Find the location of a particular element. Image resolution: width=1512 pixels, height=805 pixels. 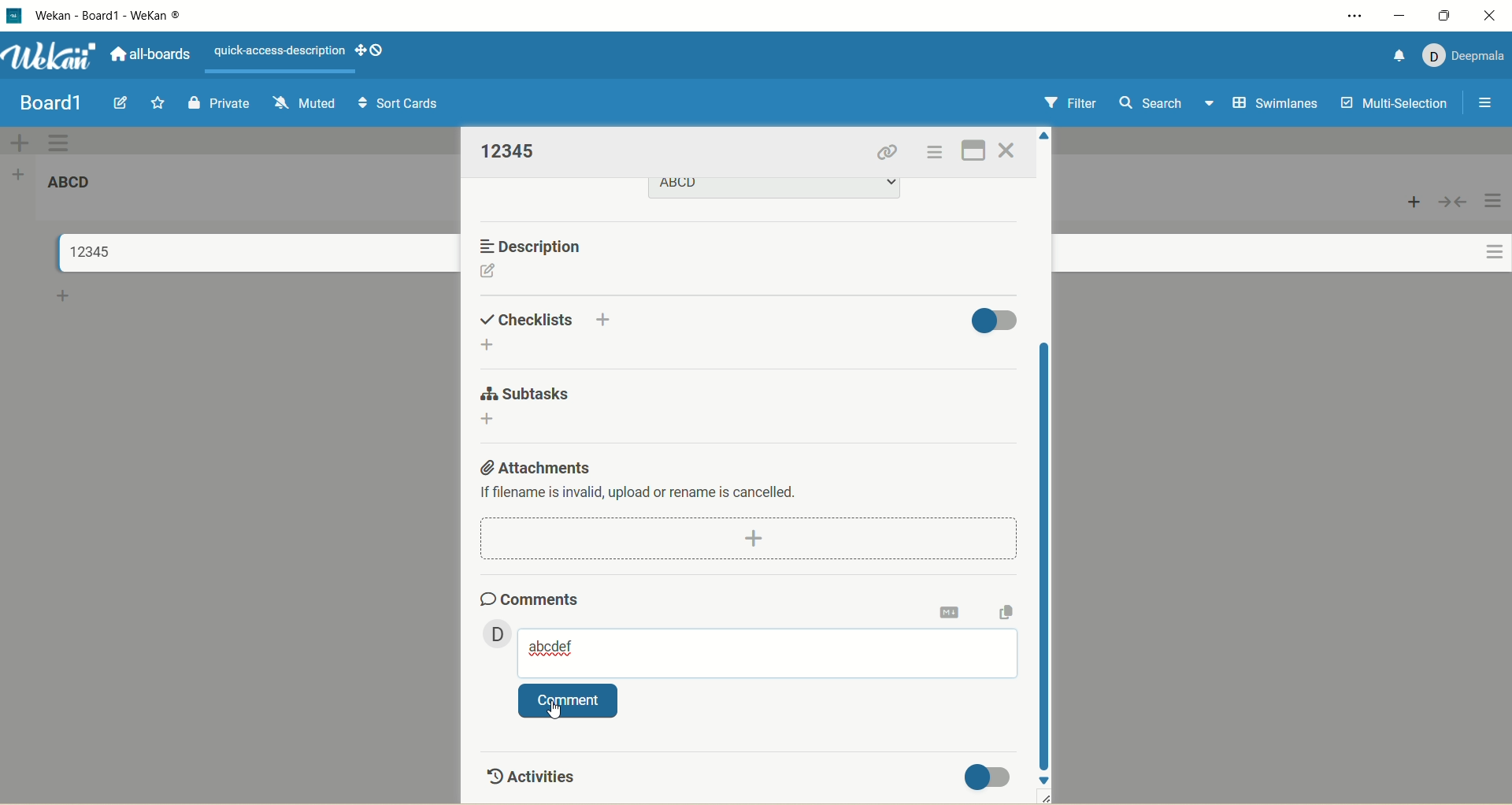

maximize is located at coordinates (1447, 15).